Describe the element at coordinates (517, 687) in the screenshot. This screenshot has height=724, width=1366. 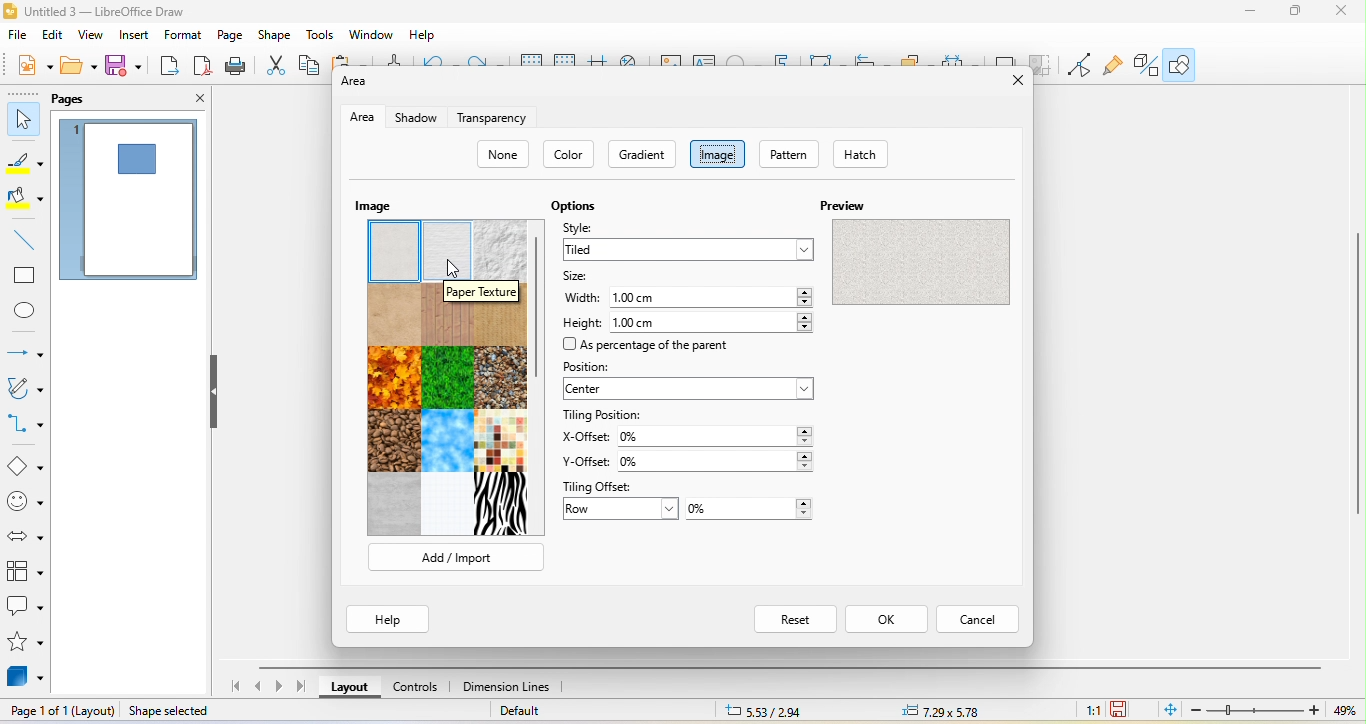
I see `dimension lines` at that location.